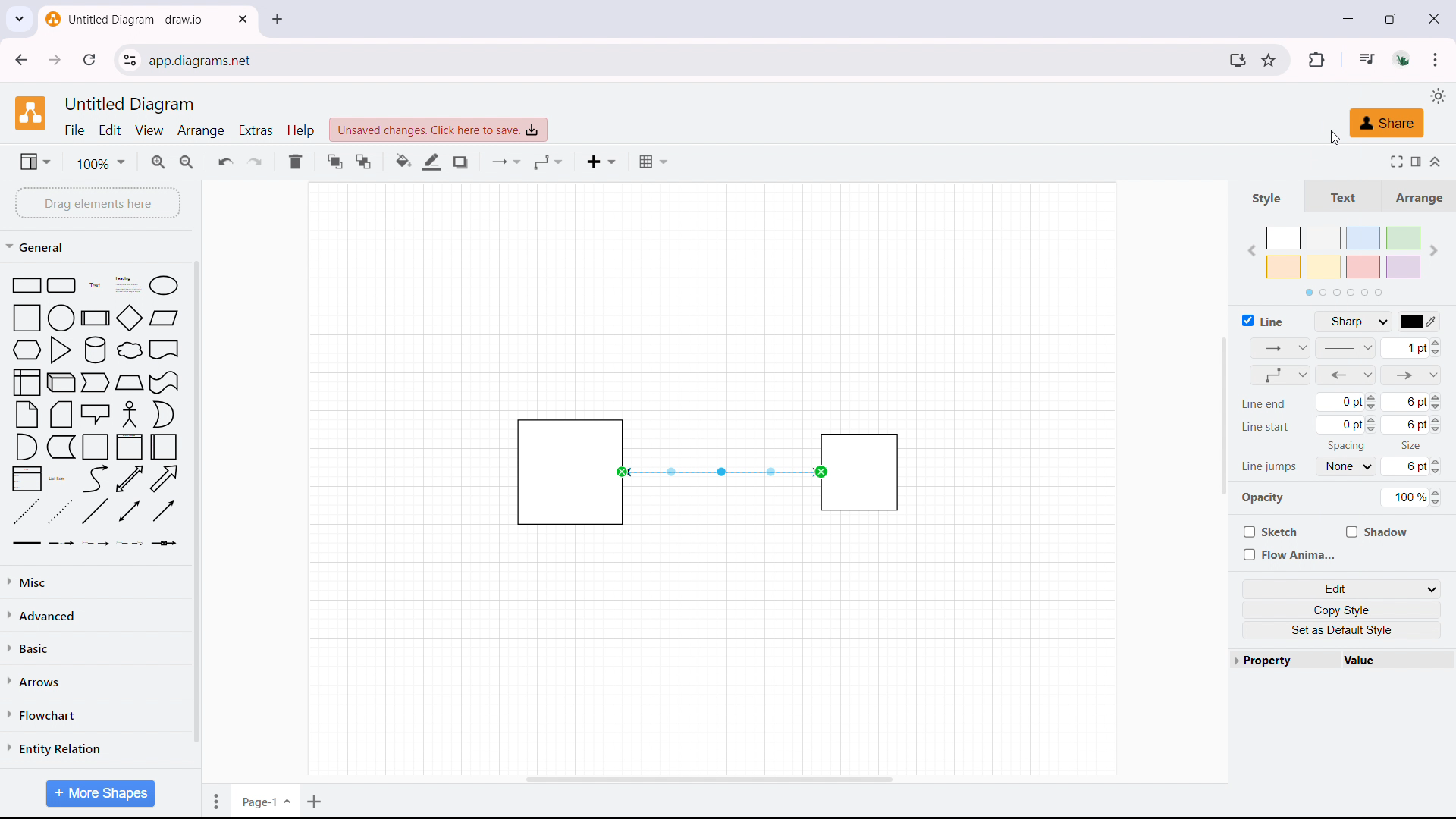 This screenshot has width=1456, height=819. What do you see at coordinates (1266, 429) in the screenshot?
I see `Line start` at bounding box center [1266, 429].